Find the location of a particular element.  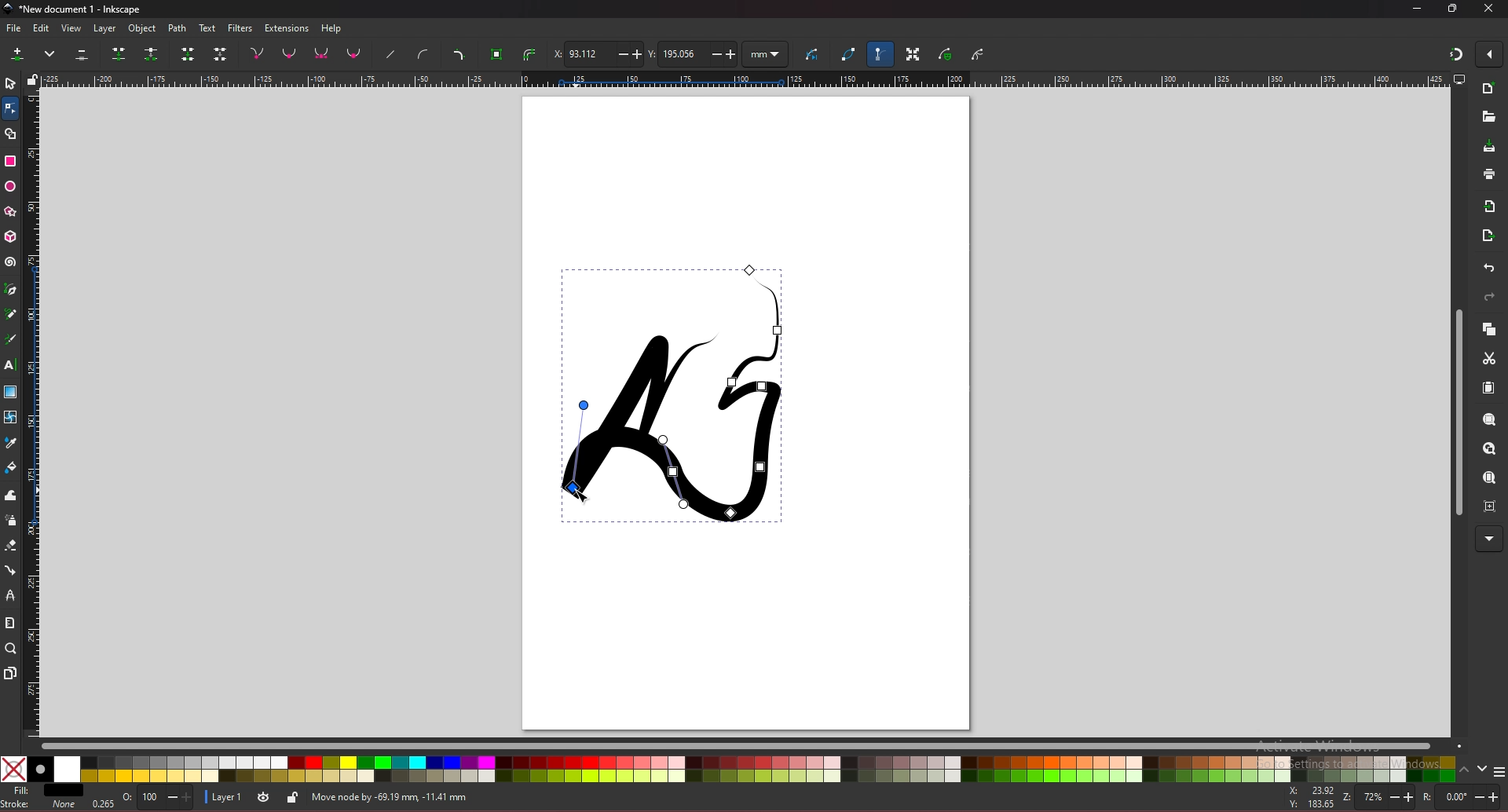

add corners lpe is located at coordinates (459, 55).